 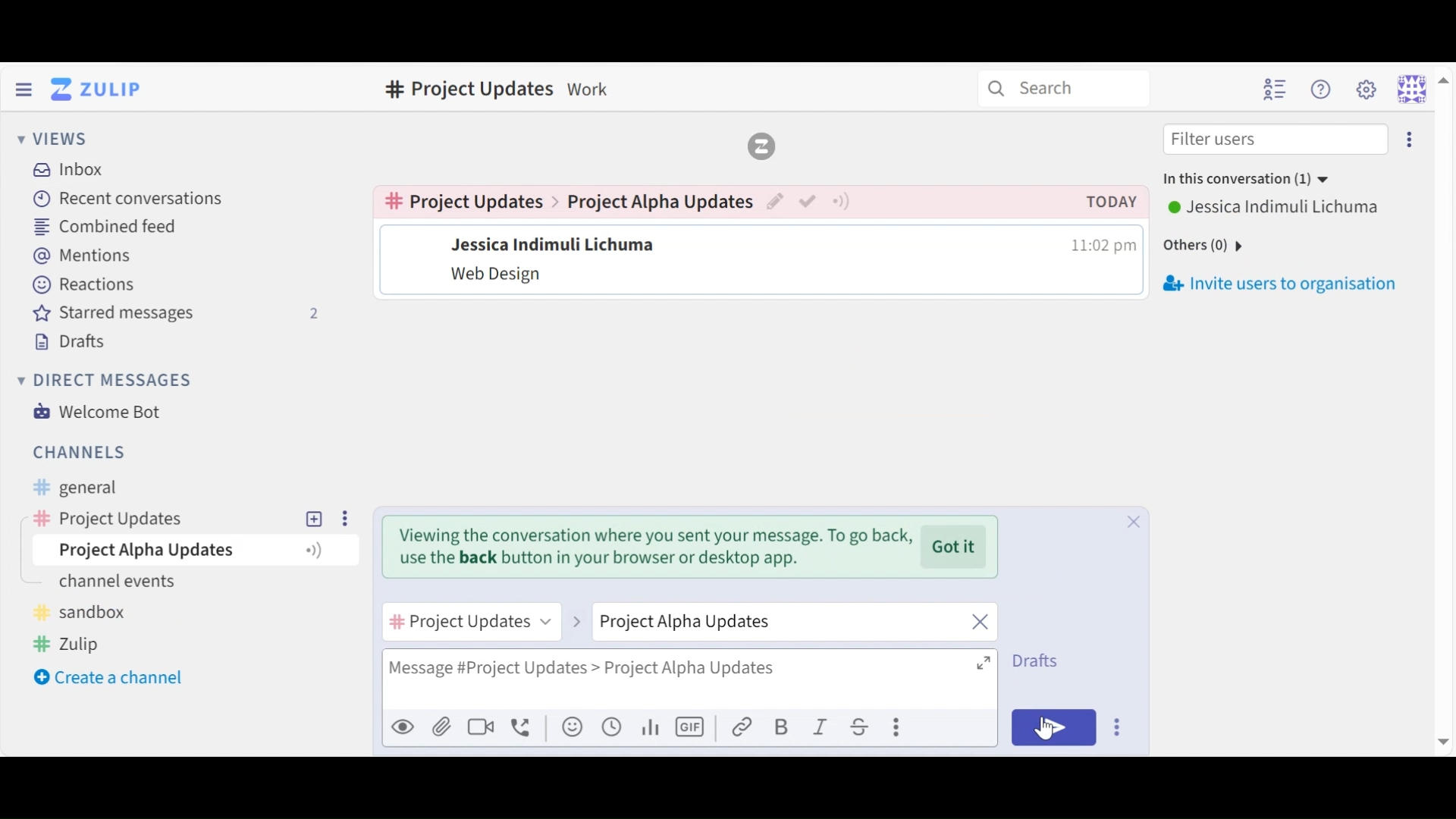 I want to click on Add an emoji, so click(x=573, y=727).